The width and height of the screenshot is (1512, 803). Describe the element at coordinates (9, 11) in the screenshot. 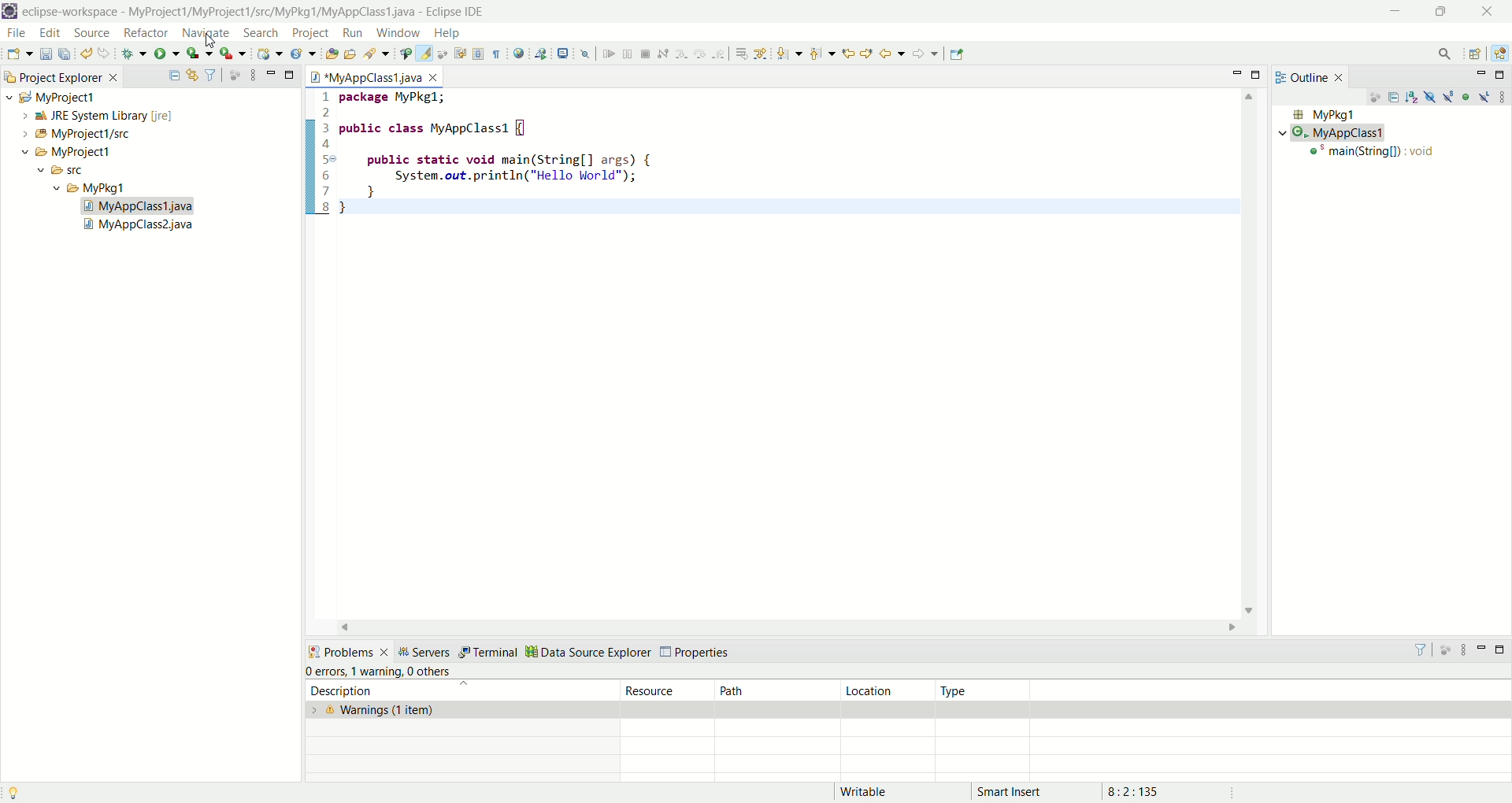

I see `eclipse logo` at that location.